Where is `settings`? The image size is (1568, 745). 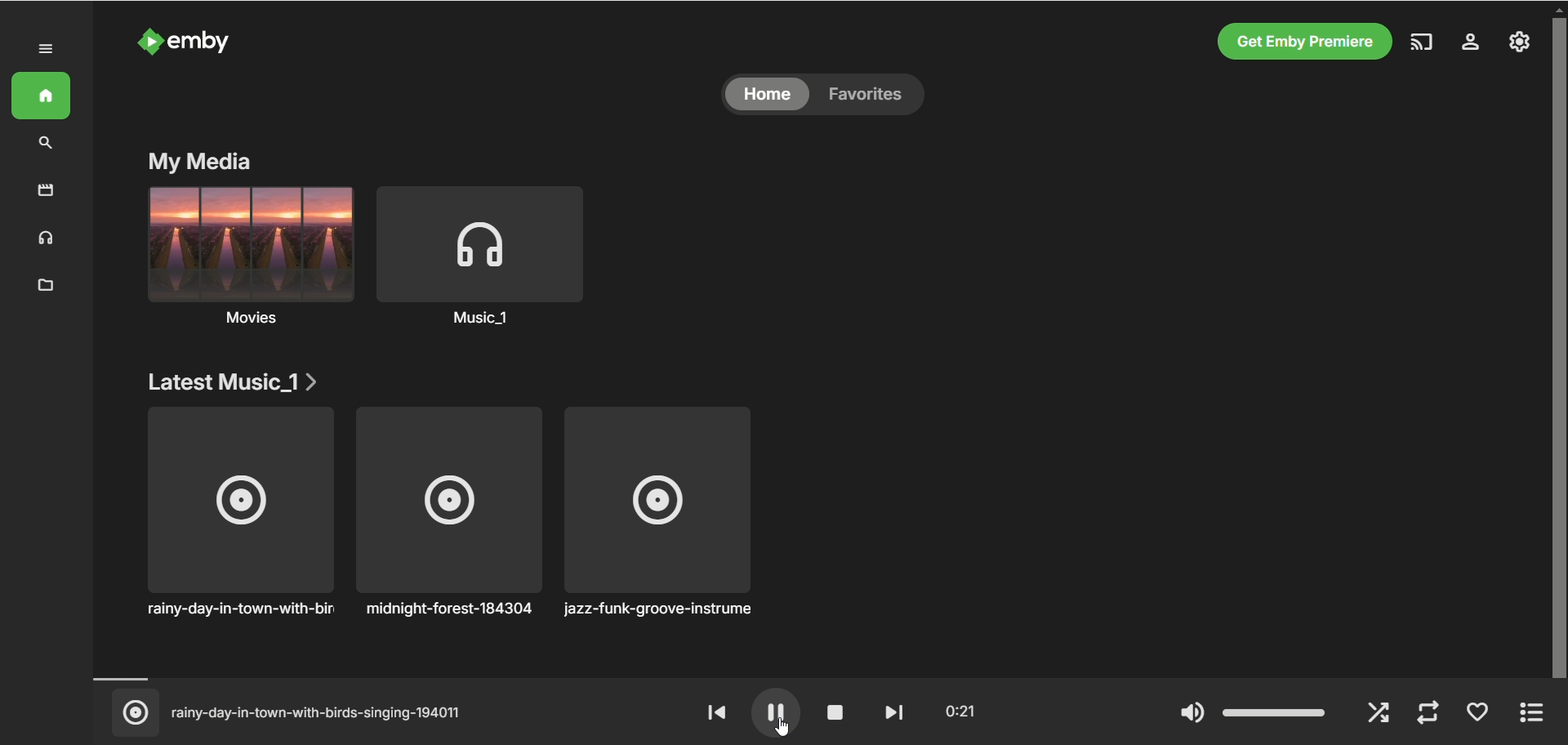
settings is located at coordinates (1468, 42).